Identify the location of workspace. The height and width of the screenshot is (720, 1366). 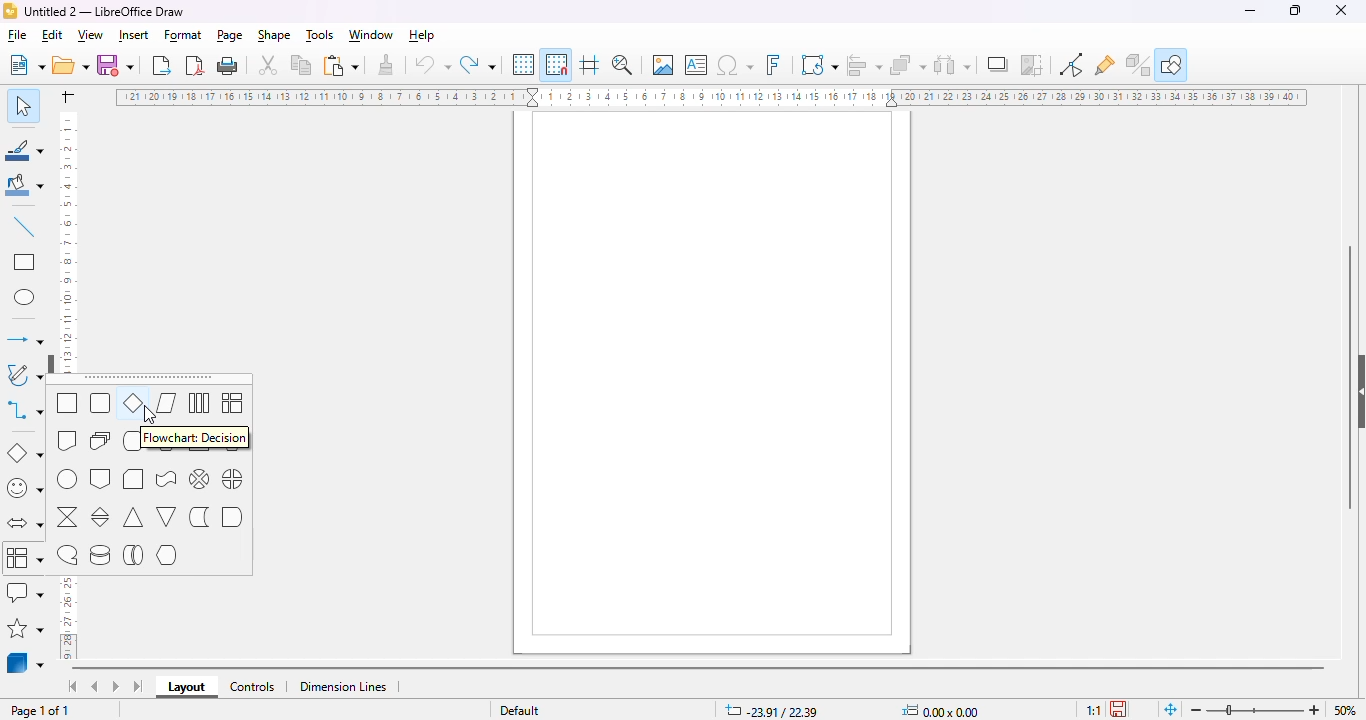
(715, 385).